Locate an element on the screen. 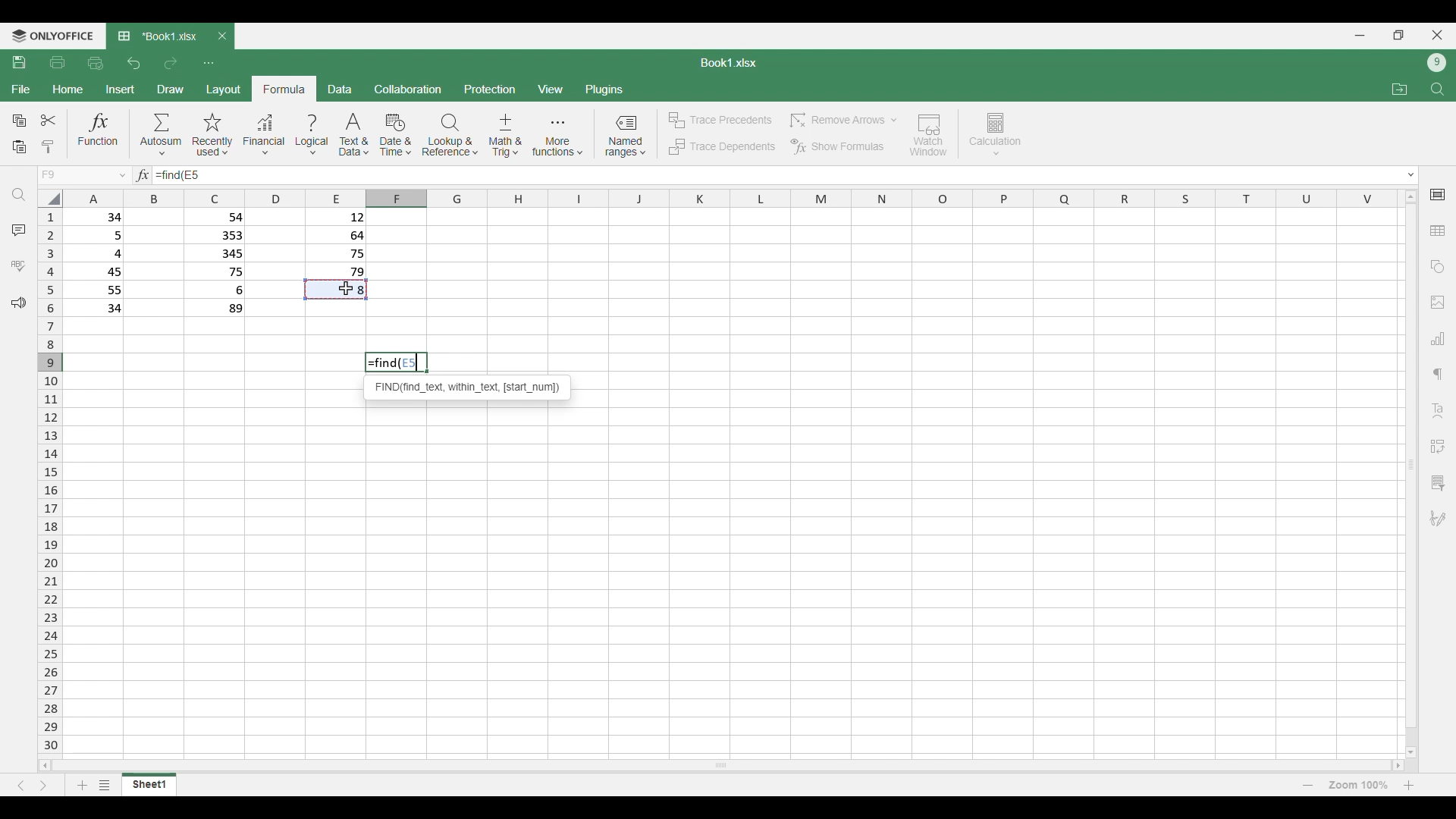 This screenshot has height=819, width=1456. Redo is located at coordinates (170, 64).